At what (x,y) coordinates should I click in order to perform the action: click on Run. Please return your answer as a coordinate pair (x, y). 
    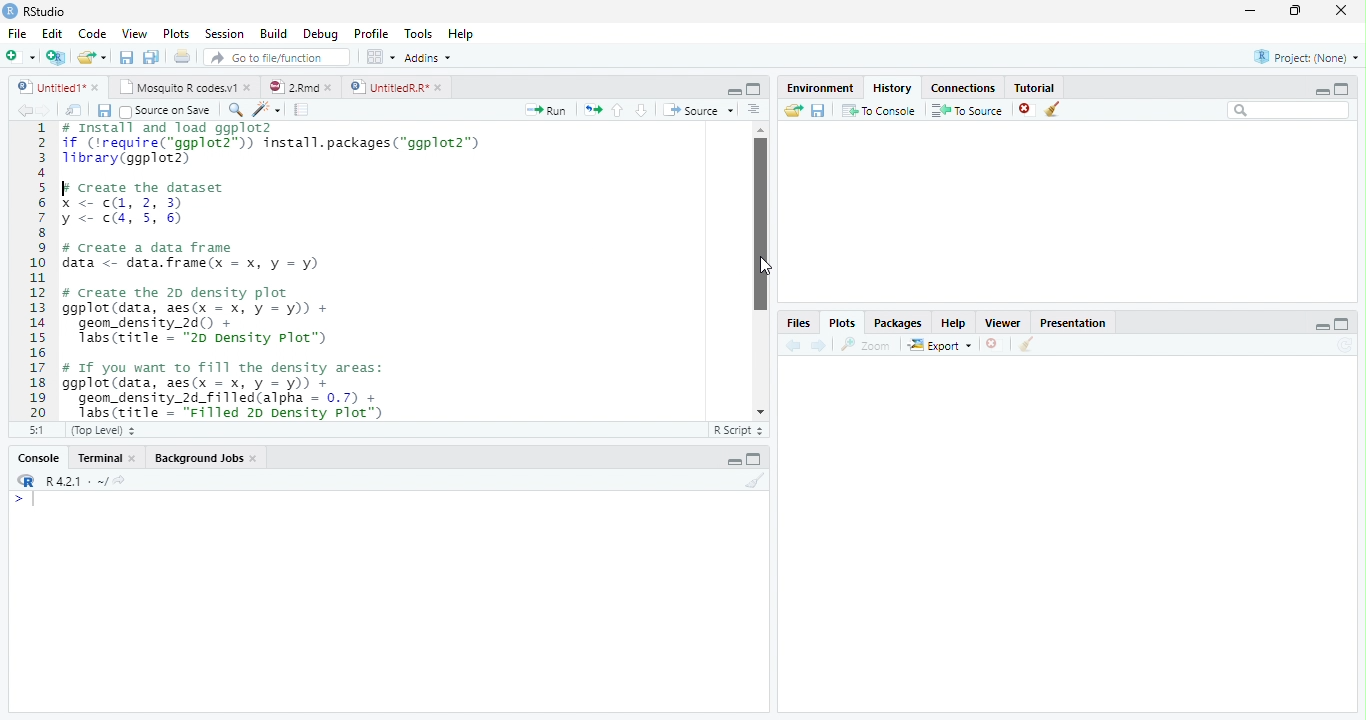
    Looking at the image, I should click on (543, 111).